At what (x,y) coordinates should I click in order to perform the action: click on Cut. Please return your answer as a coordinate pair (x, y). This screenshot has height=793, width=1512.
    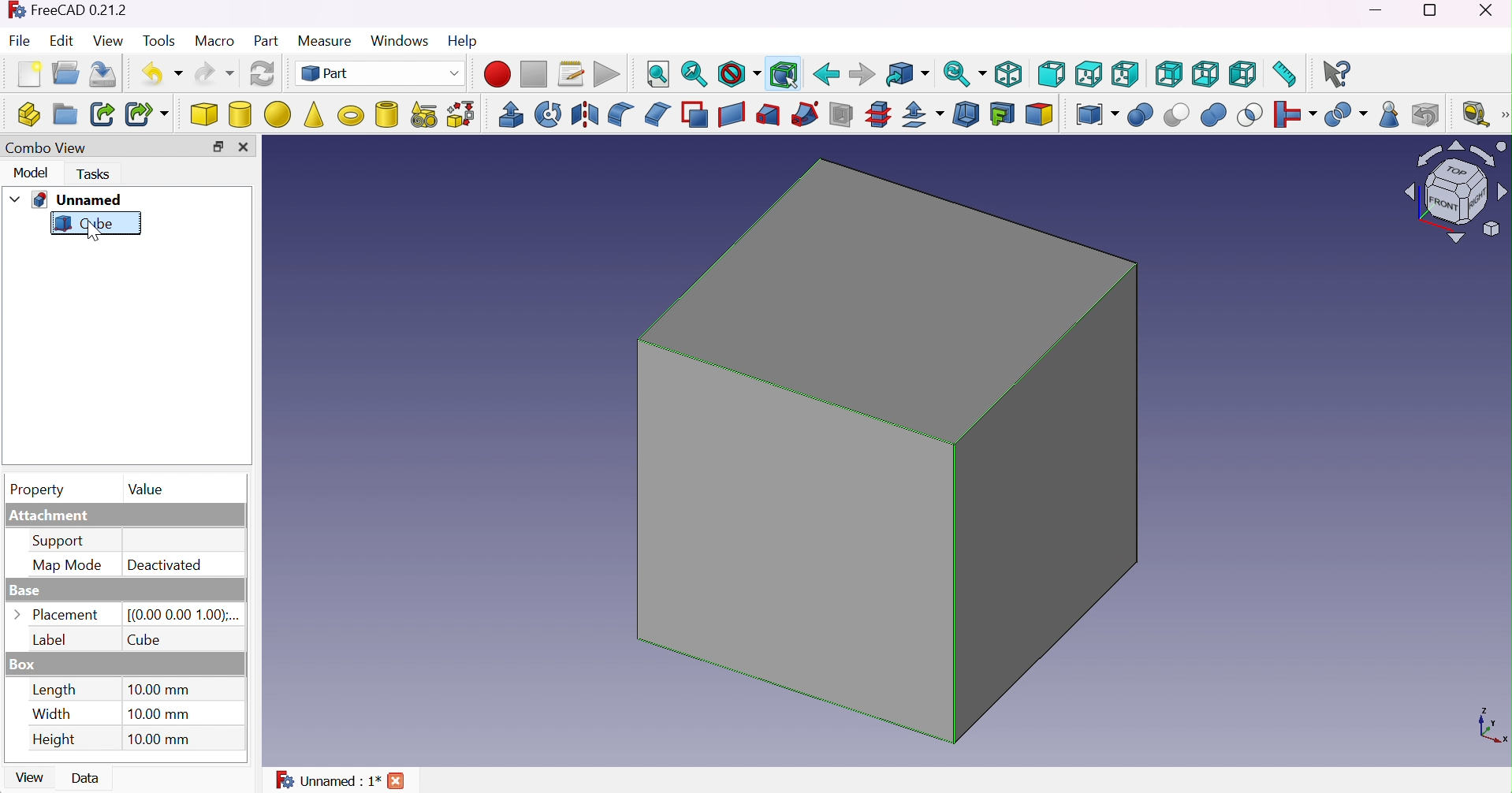
    Looking at the image, I should click on (1177, 116).